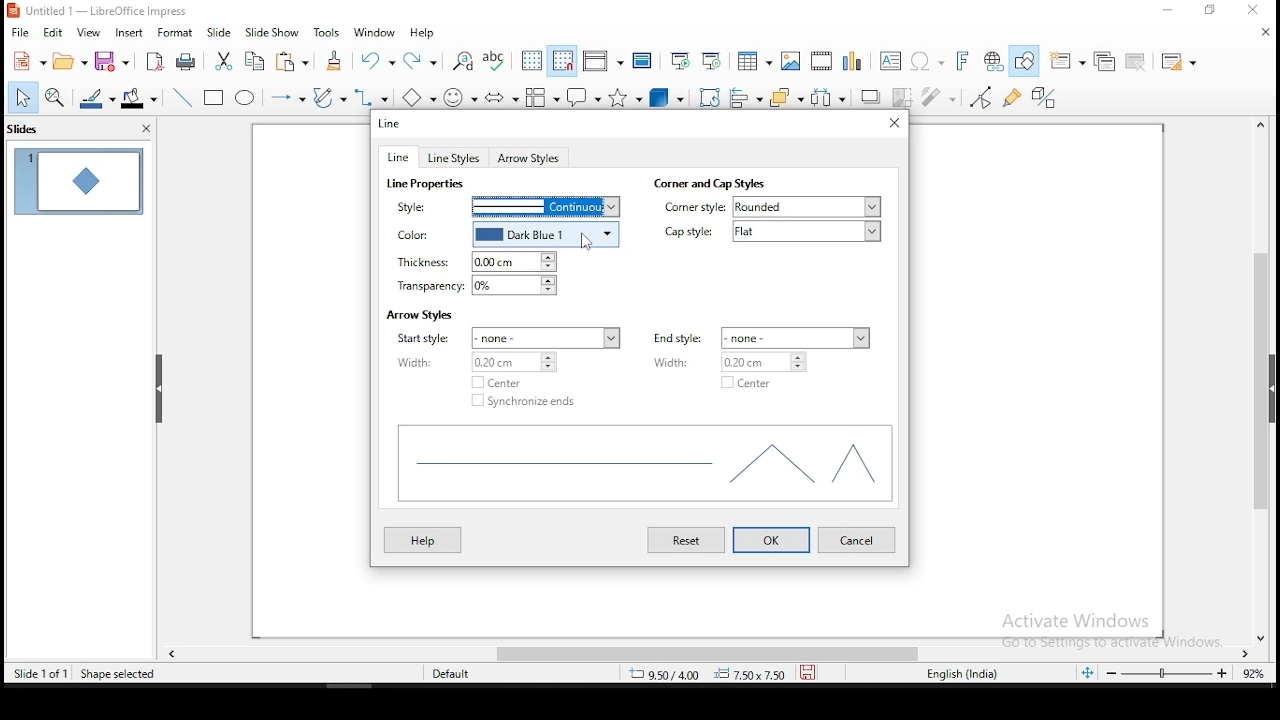 The image size is (1280, 720). I want to click on ok, so click(771, 540).